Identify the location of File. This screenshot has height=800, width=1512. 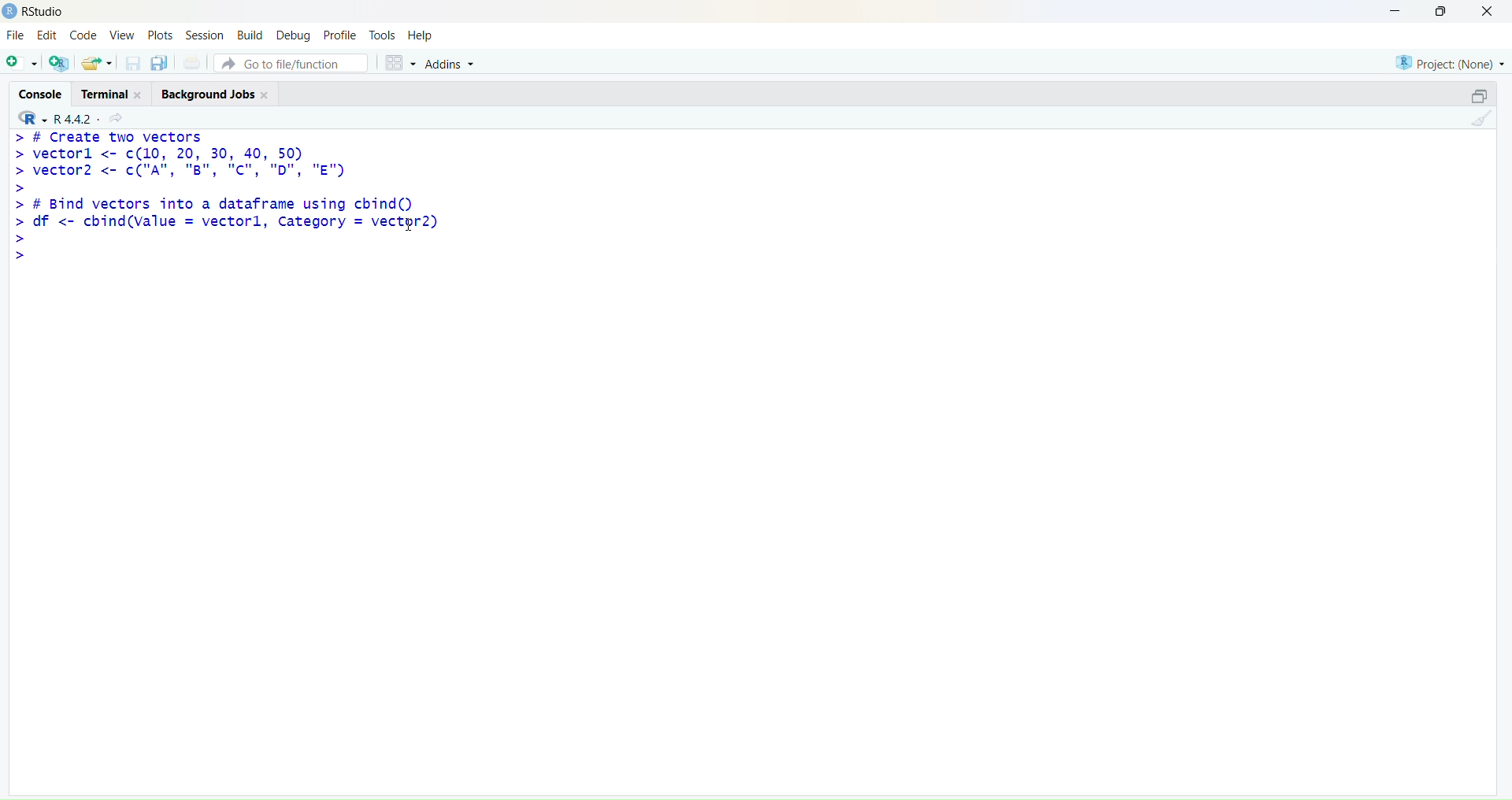
(17, 35).